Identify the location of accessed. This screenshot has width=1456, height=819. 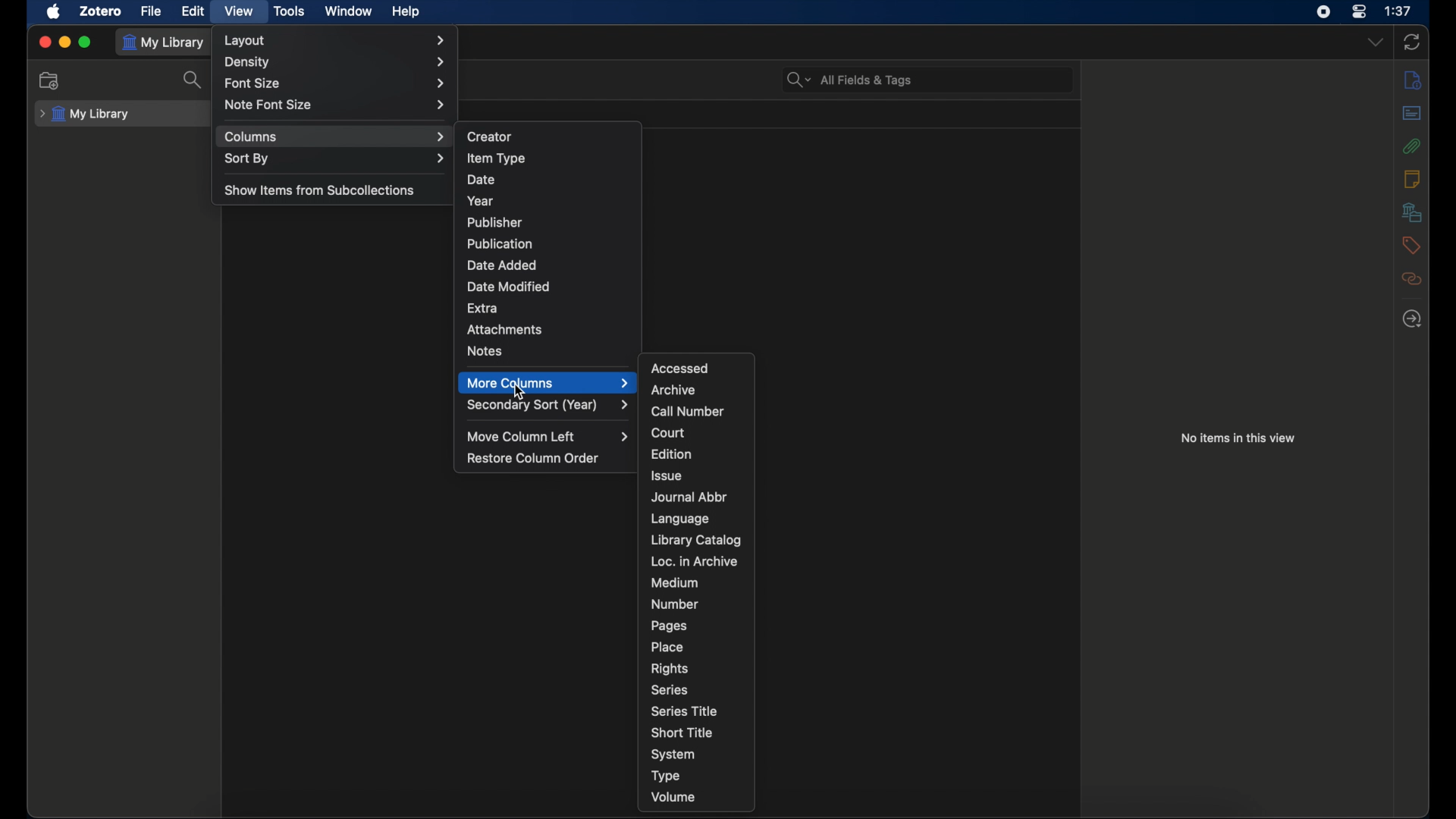
(679, 368).